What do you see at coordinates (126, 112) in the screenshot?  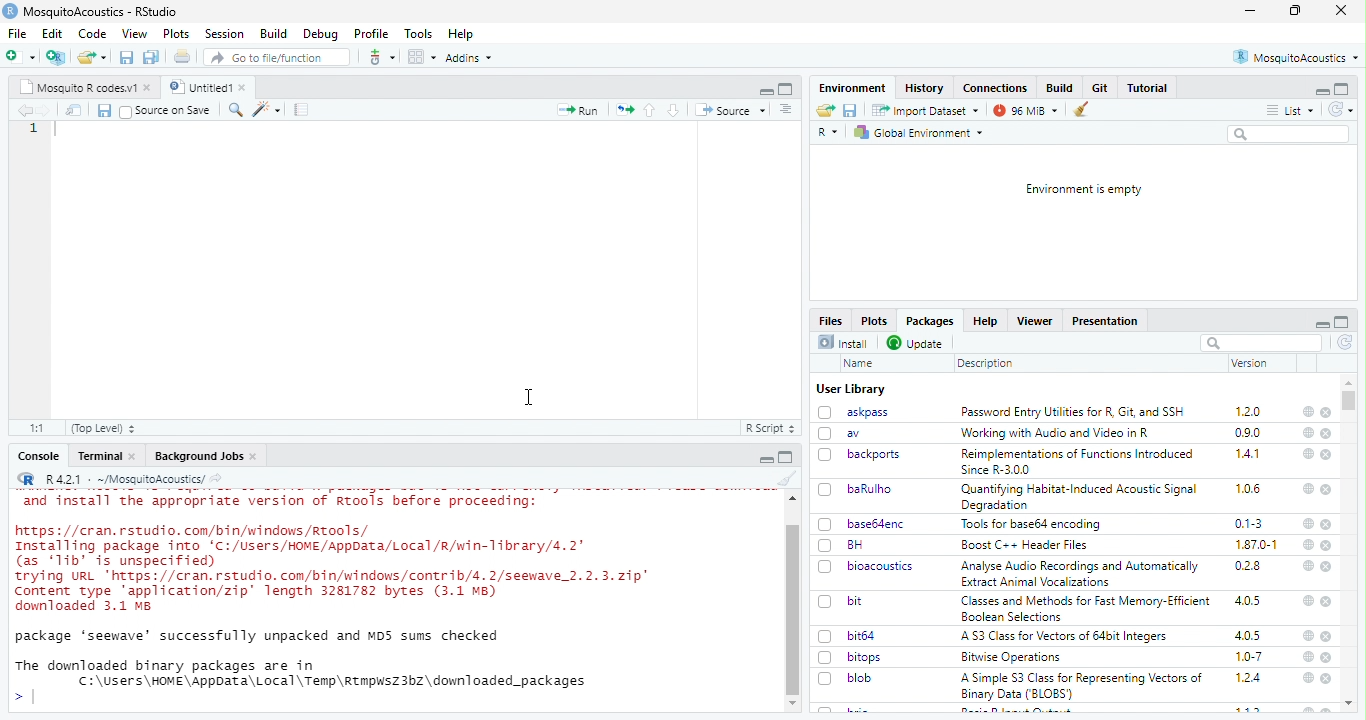 I see `checkbox` at bounding box center [126, 112].